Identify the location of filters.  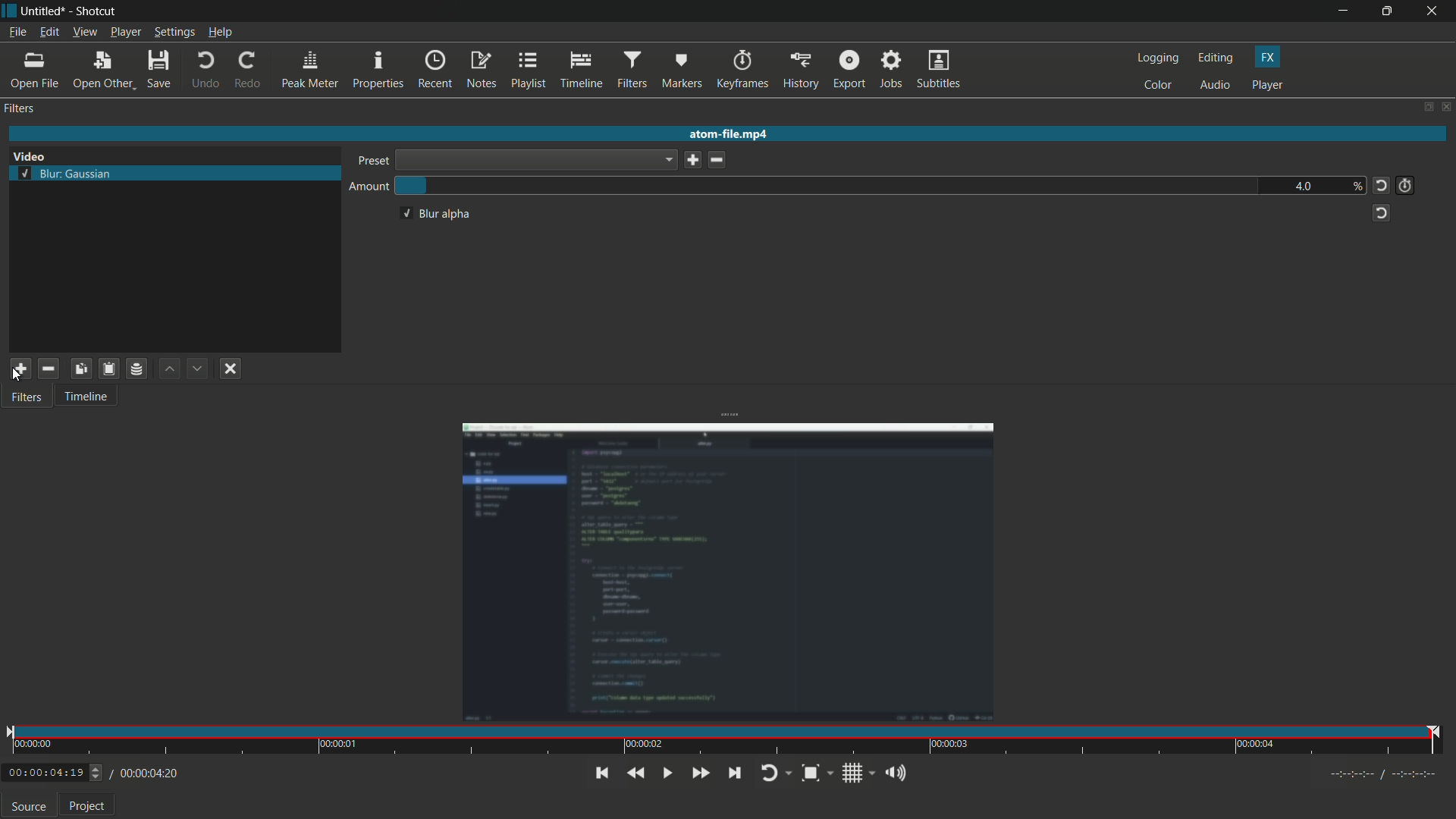
(630, 71).